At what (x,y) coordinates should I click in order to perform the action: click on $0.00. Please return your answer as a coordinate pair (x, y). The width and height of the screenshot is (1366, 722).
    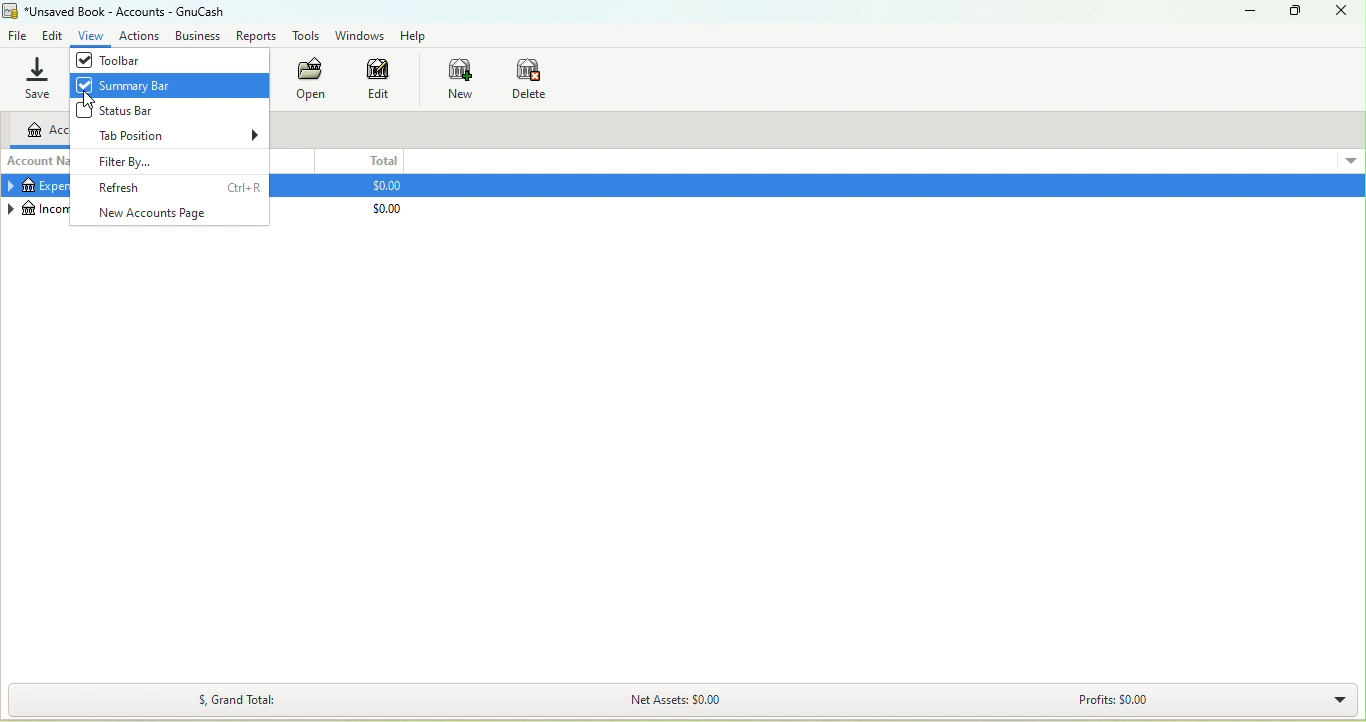
    Looking at the image, I should click on (386, 209).